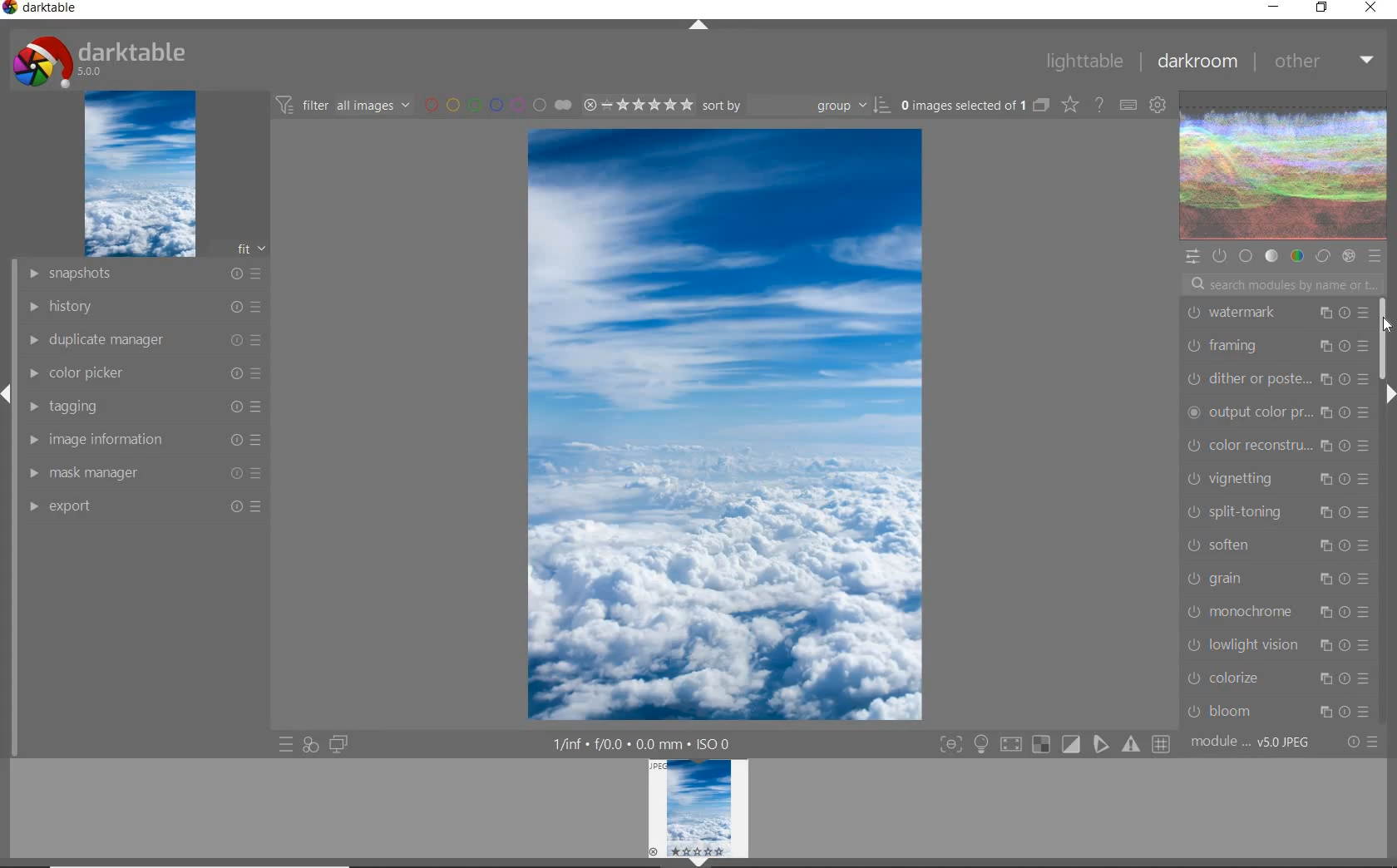 The image size is (1397, 868). Describe the element at coordinates (961, 104) in the screenshot. I see `0 images selected of` at that location.